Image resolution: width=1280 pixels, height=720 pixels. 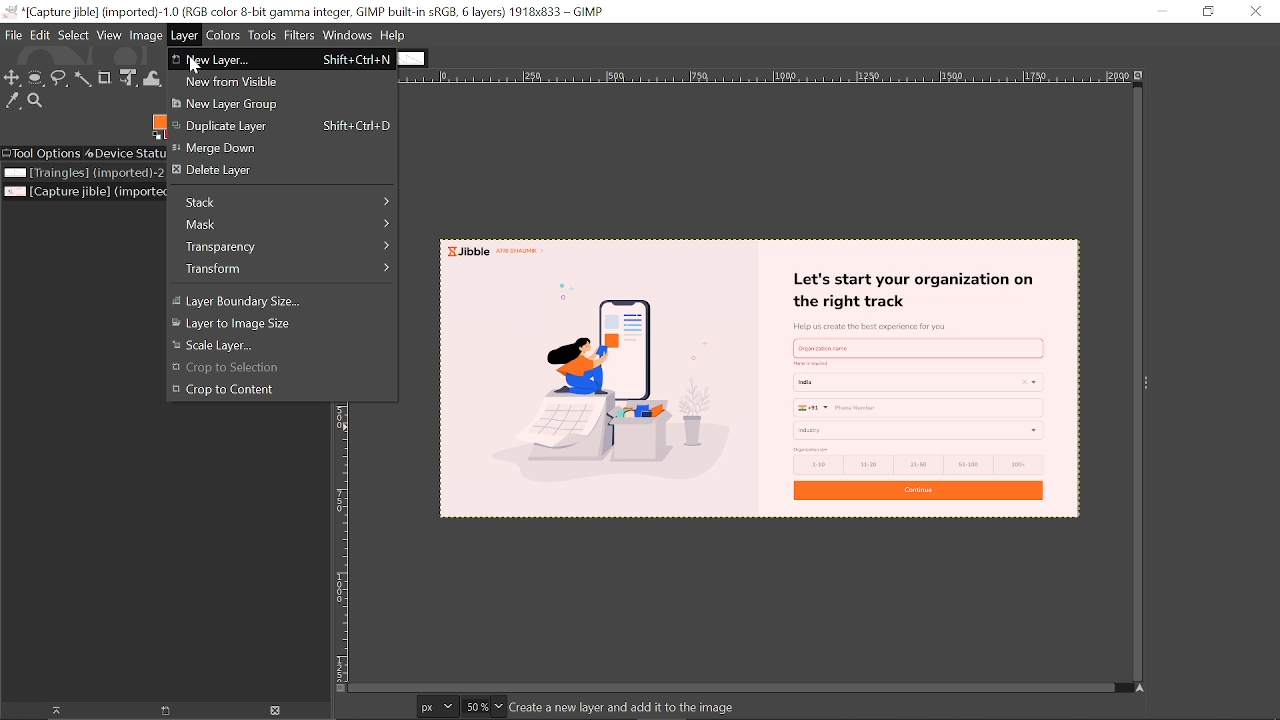 What do you see at coordinates (294, 149) in the screenshot?
I see `merge down` at bounding box center [294, 149].